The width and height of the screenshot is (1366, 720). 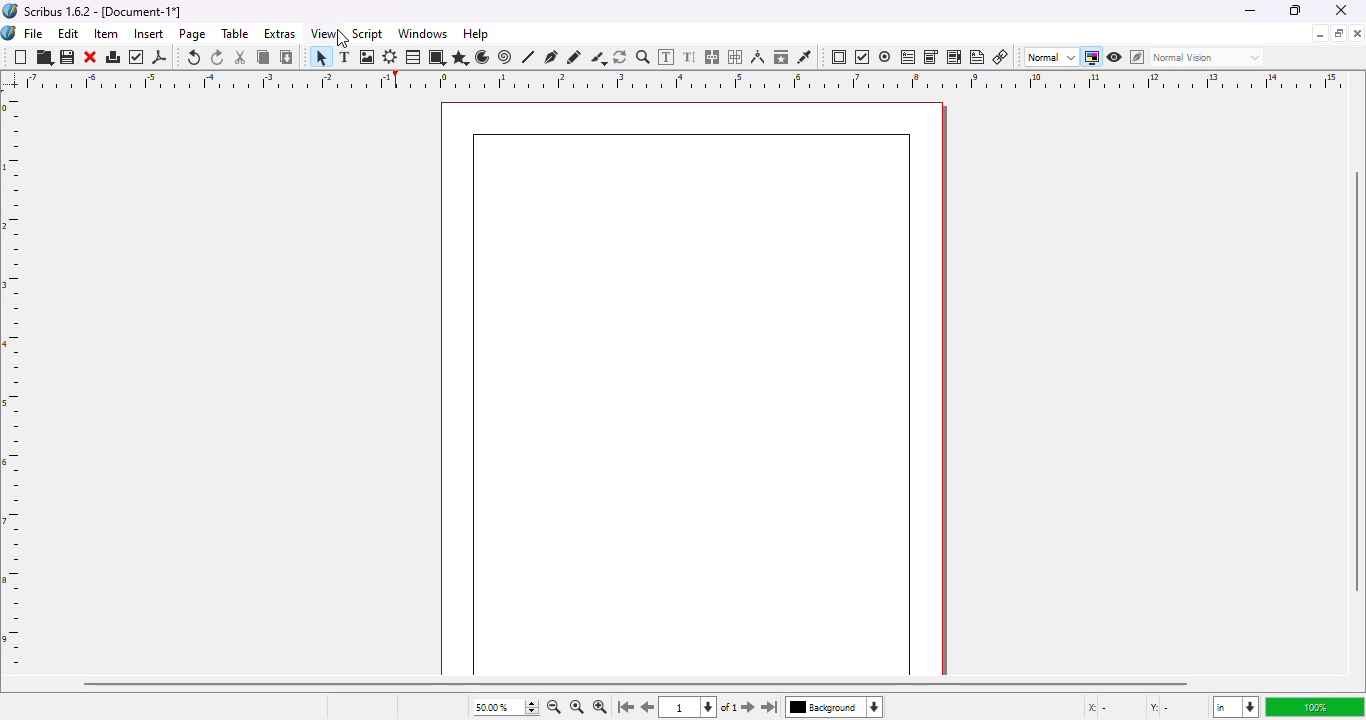 I want to click on extras, so click(x=280, y=33).